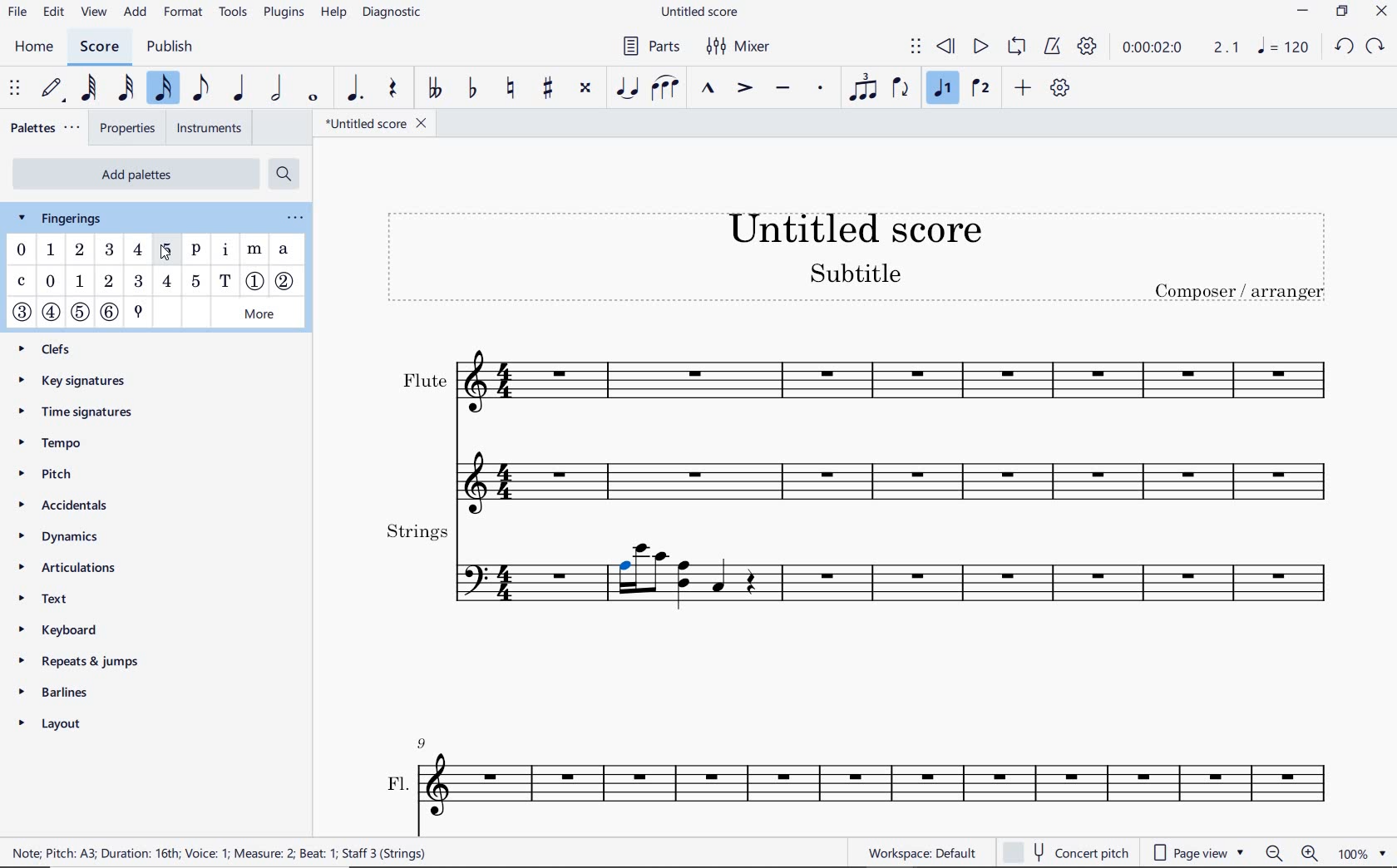 The width and height of the screenshot is (1397, 868). I want to click on layout, so click(77, 723).